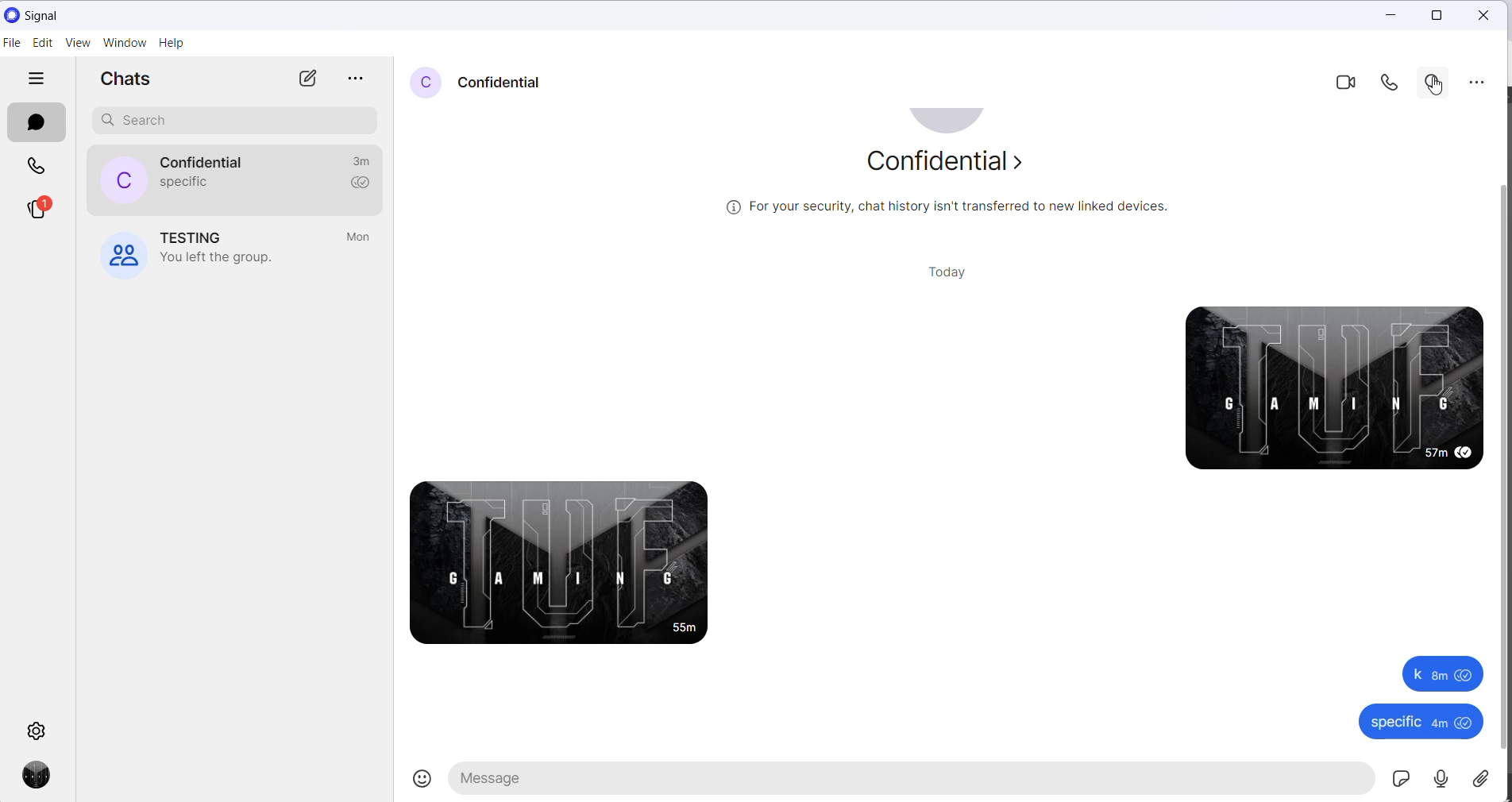 The height and width of the screenshot is (802, 1512). Describe the element at coordinates (126, 253) in the screenshot. I see `profile picture` at that location.